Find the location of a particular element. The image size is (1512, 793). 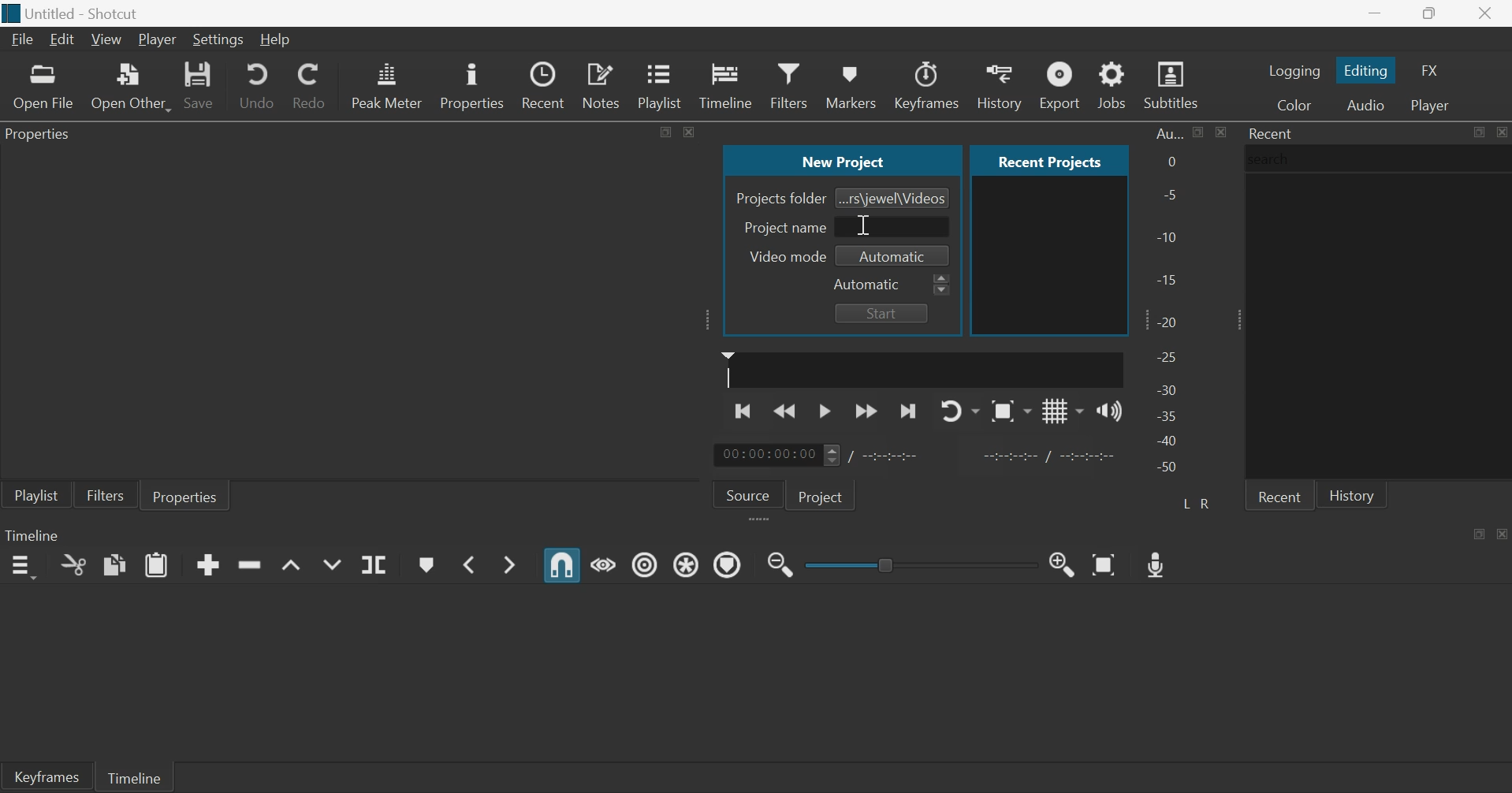

Close is located at coordinates (1503, 533).